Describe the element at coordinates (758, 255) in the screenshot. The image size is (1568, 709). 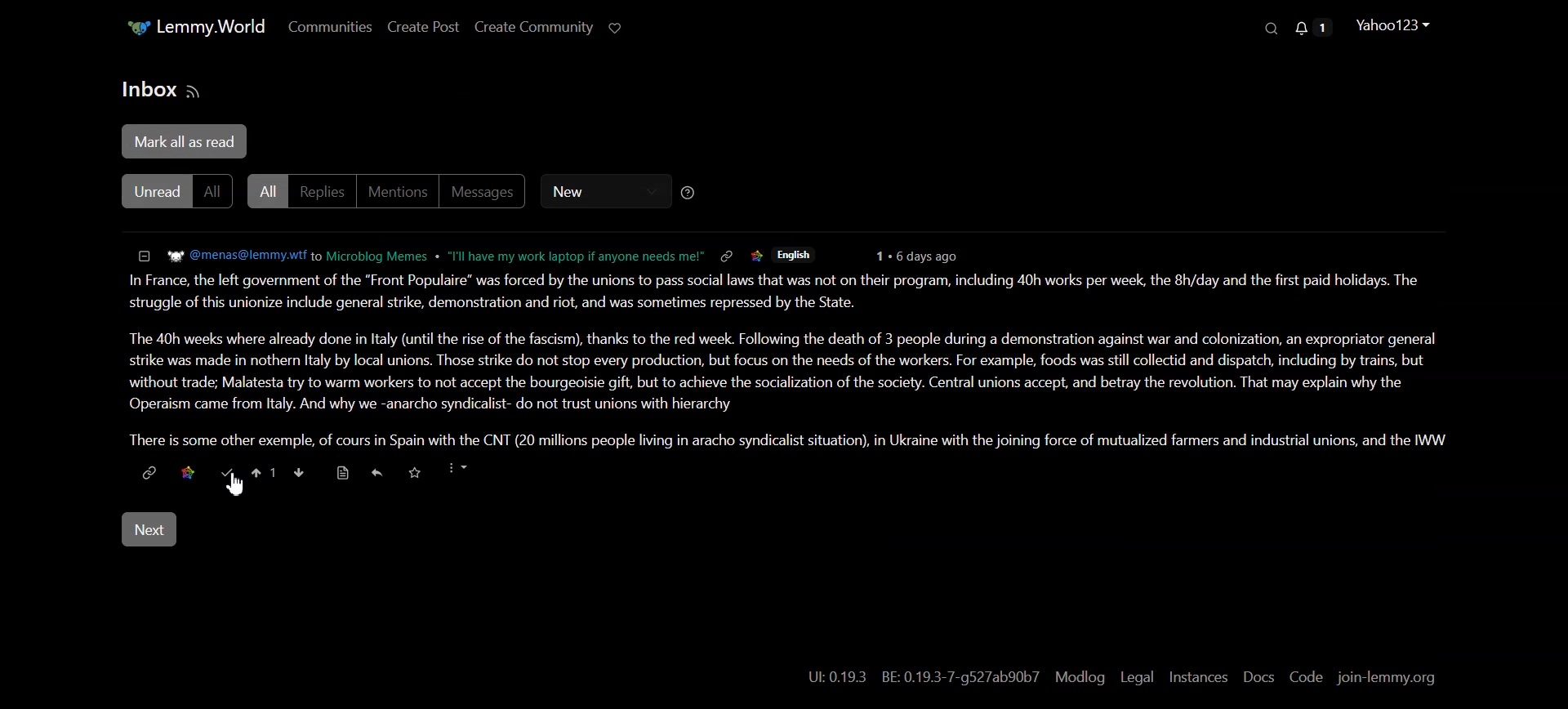
I see `Logo` at that location.